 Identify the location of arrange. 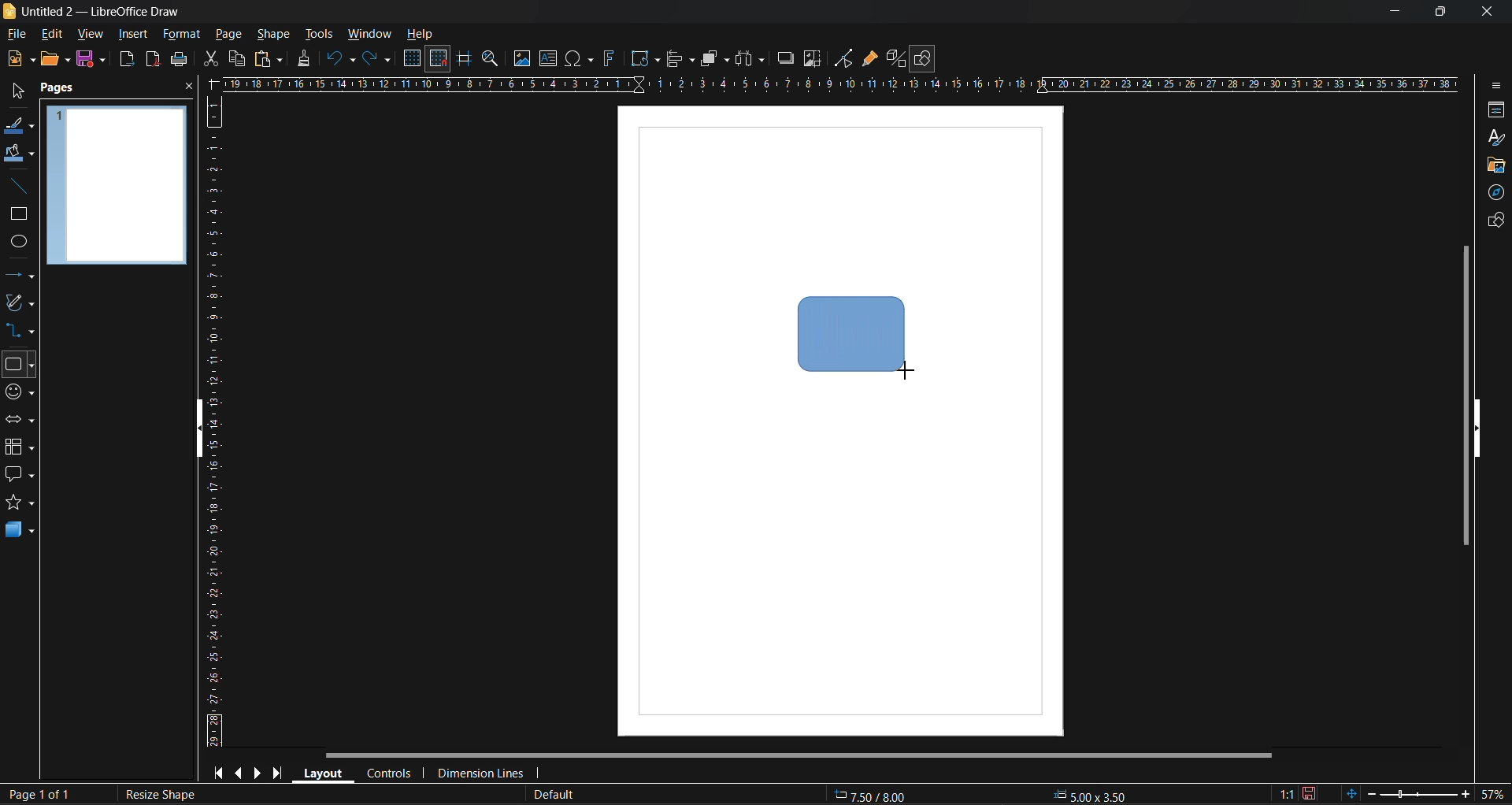
(715, 58).